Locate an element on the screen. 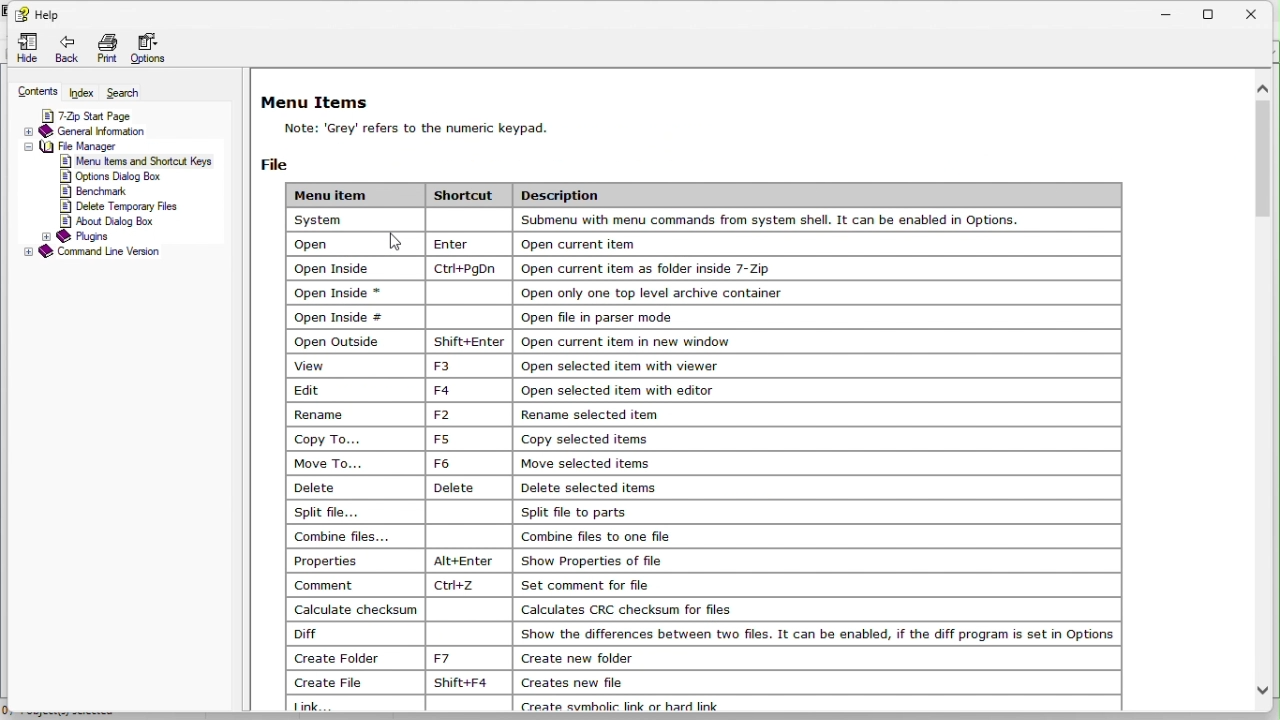 The width and height of the screenshot is (1280, 720). Options is located at coordinates (153, 50).